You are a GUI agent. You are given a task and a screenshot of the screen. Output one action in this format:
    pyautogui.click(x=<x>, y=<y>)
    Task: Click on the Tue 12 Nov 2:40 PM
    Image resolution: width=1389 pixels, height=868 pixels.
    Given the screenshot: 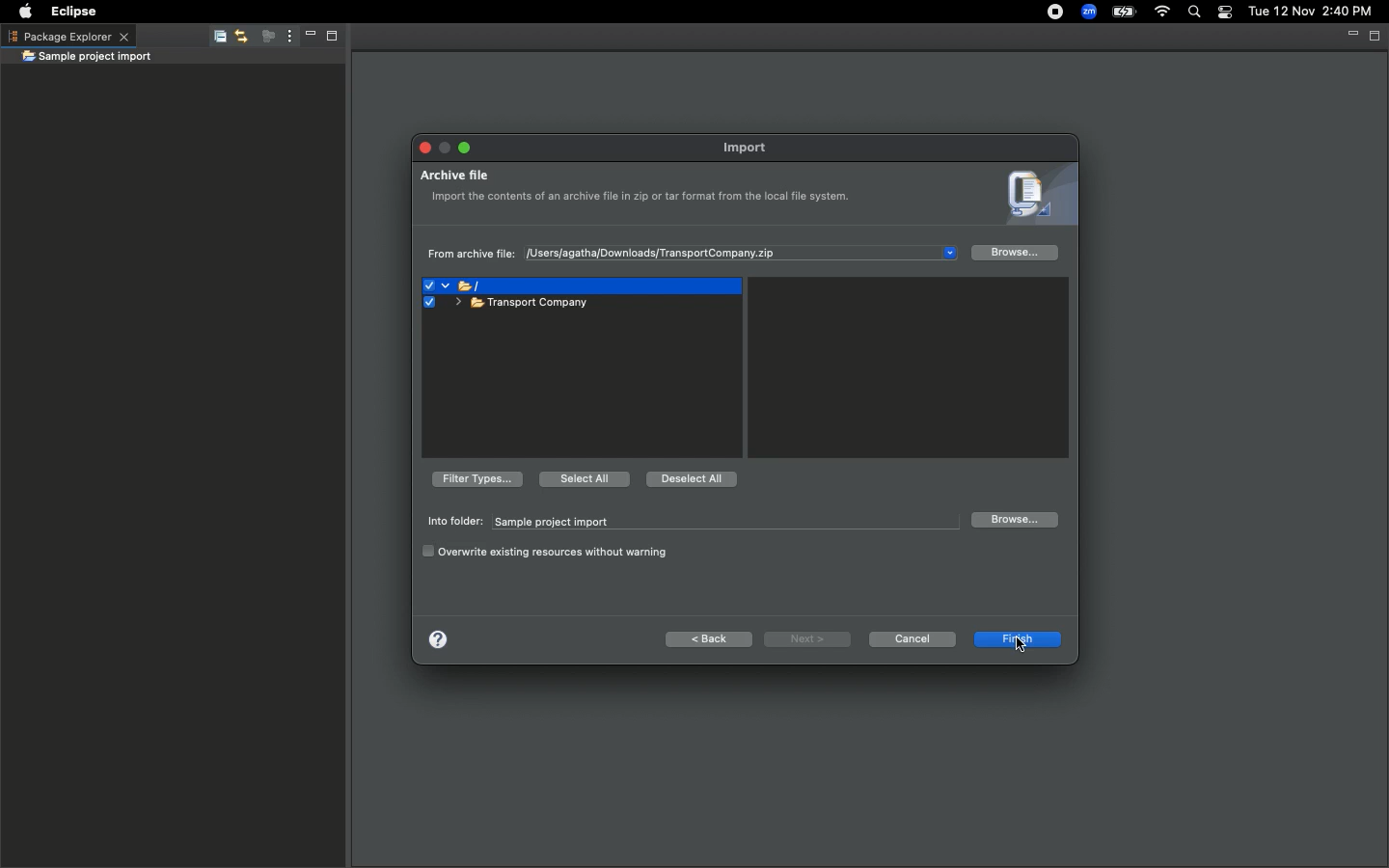 What is the action you would take?
    pyautogui.click(x=1310, y=12)
    